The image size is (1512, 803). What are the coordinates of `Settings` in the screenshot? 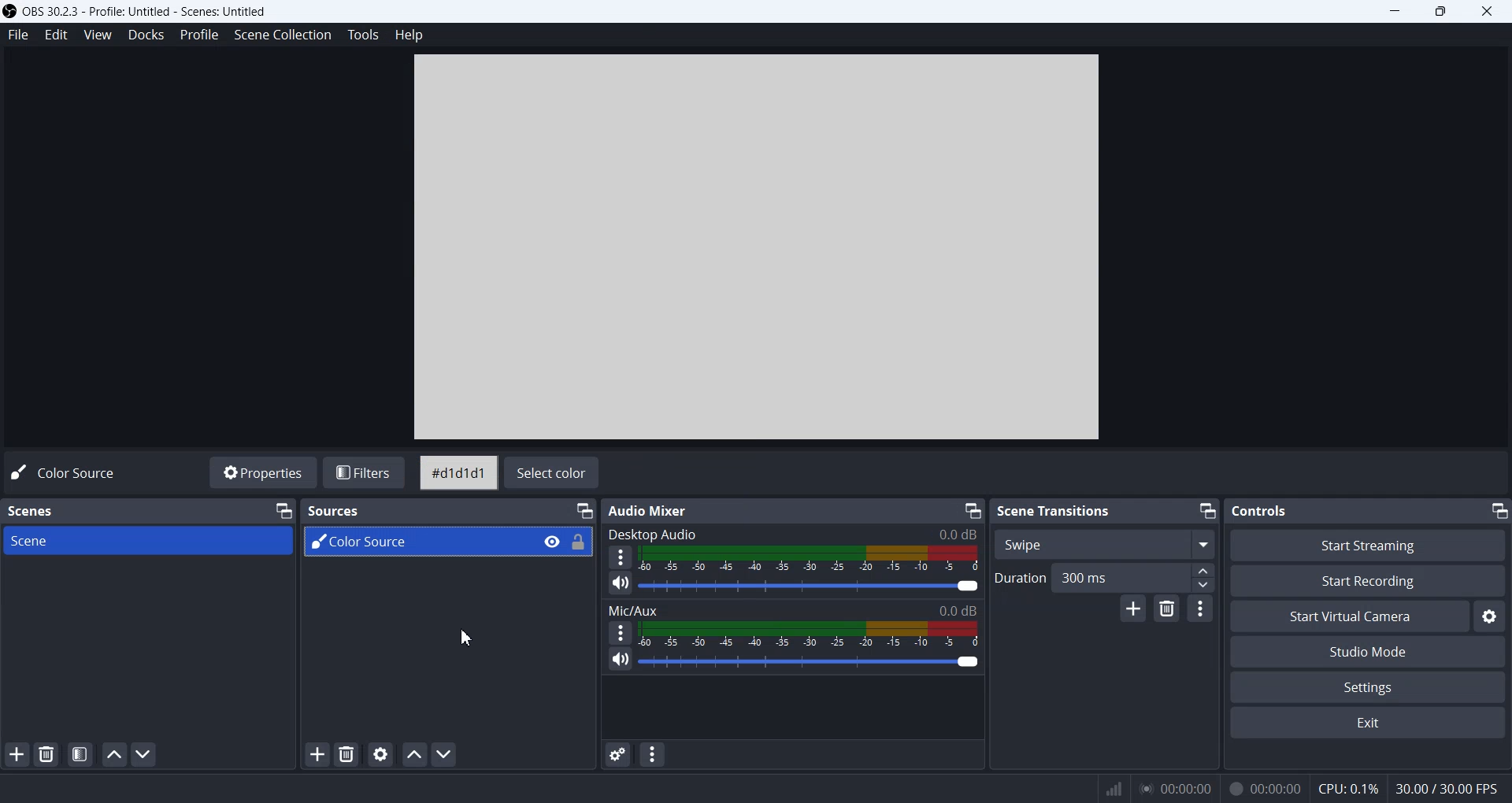 It's located at (1492, 616).